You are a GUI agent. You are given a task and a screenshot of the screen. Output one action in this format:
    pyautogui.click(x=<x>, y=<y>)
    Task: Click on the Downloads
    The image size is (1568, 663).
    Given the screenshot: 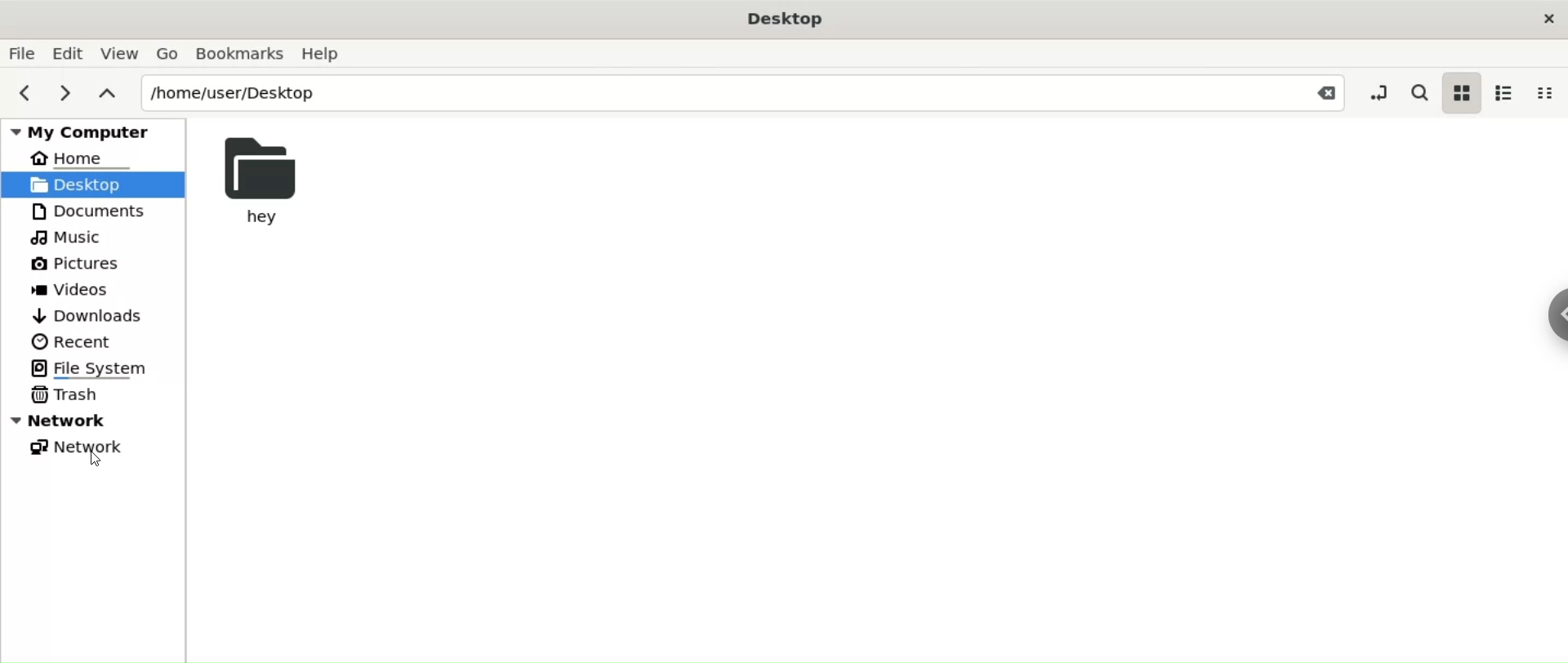 What is the action you would take?
    pyautogui.click(x=88, y=317)
    